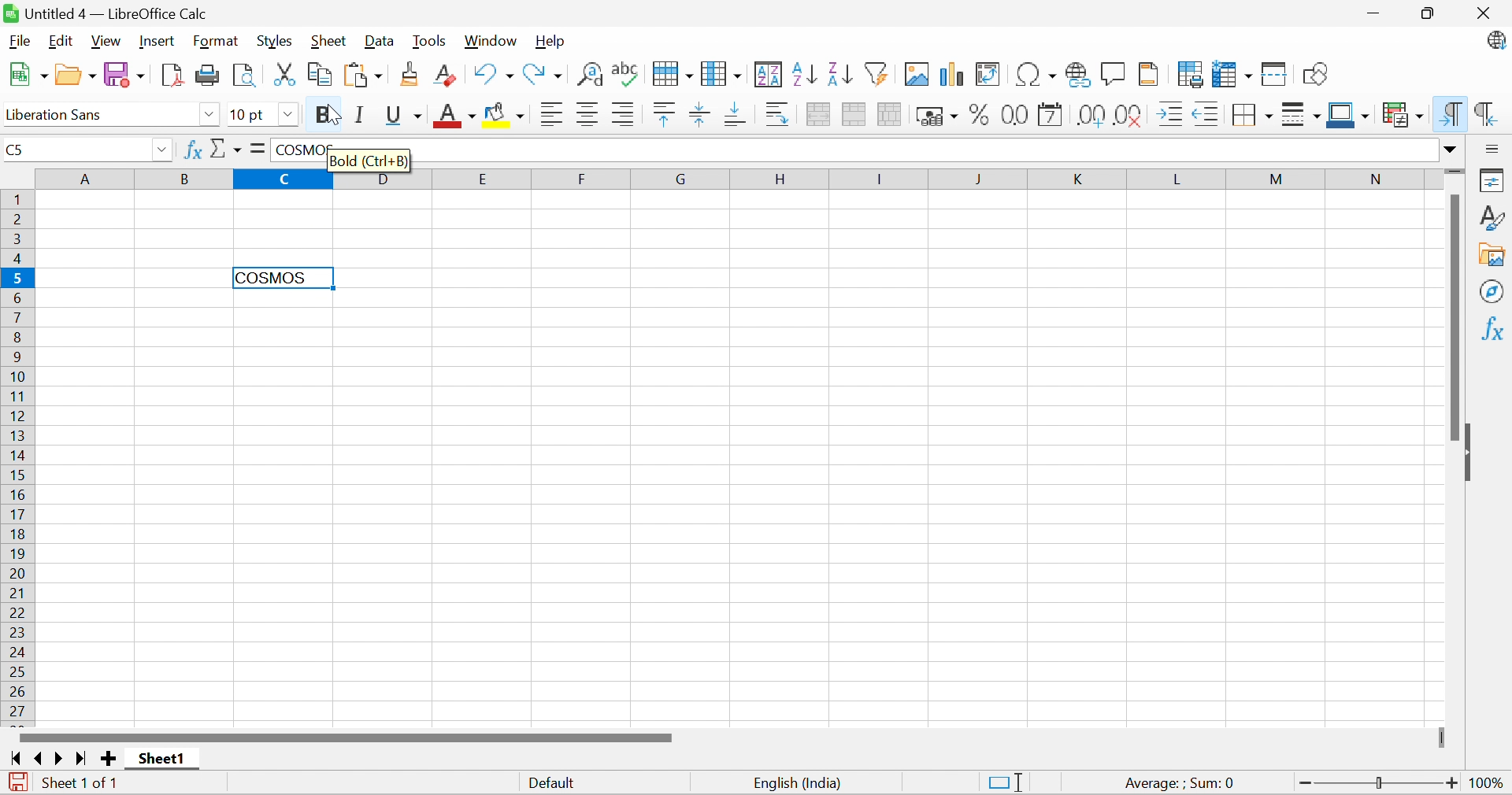  Describe the element at coordinates (1113, 72) in the screenshot. I see `Insert Comment` at that location.